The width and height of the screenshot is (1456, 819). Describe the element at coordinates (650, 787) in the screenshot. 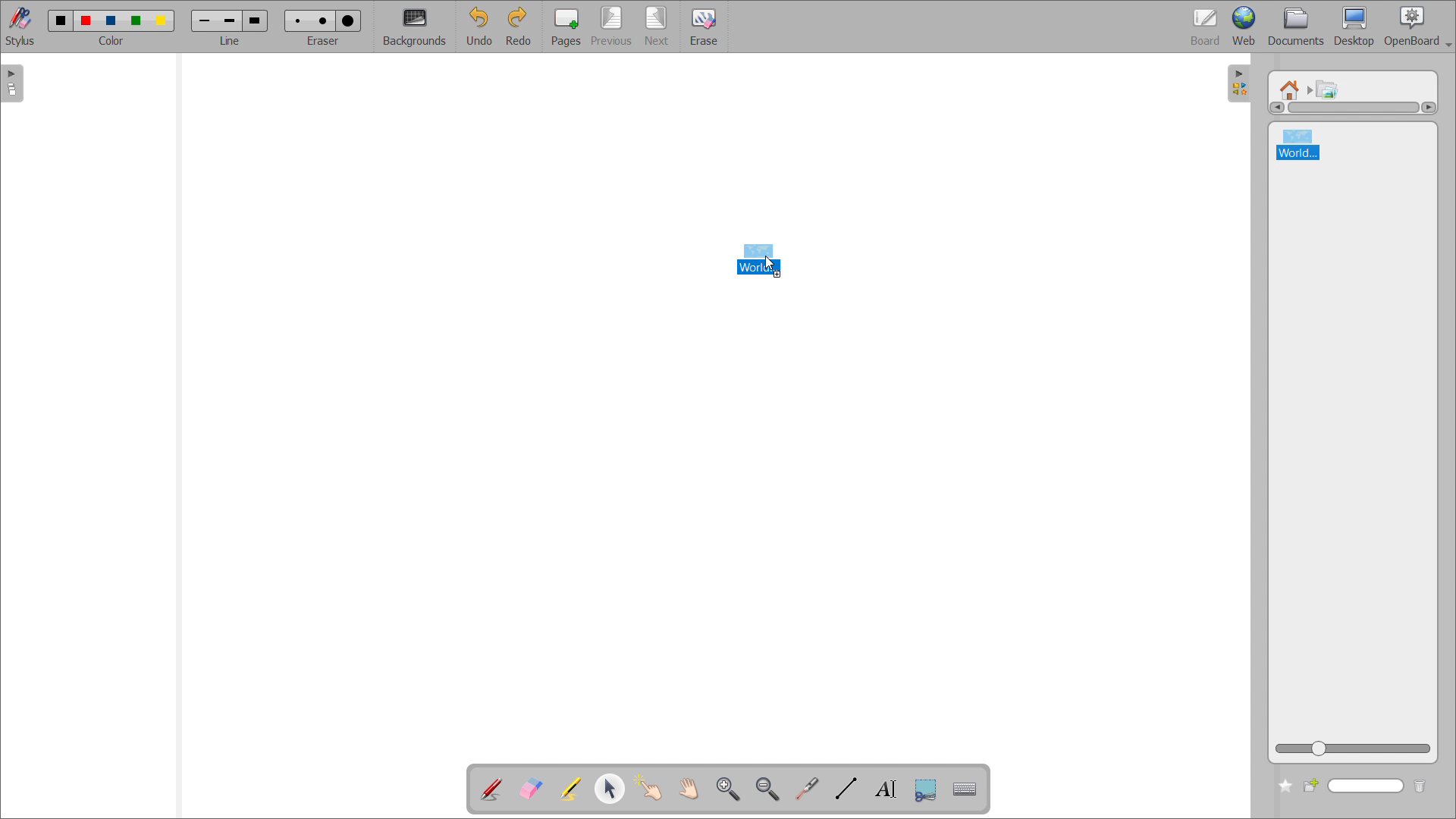

I see `interact with items` at that location.